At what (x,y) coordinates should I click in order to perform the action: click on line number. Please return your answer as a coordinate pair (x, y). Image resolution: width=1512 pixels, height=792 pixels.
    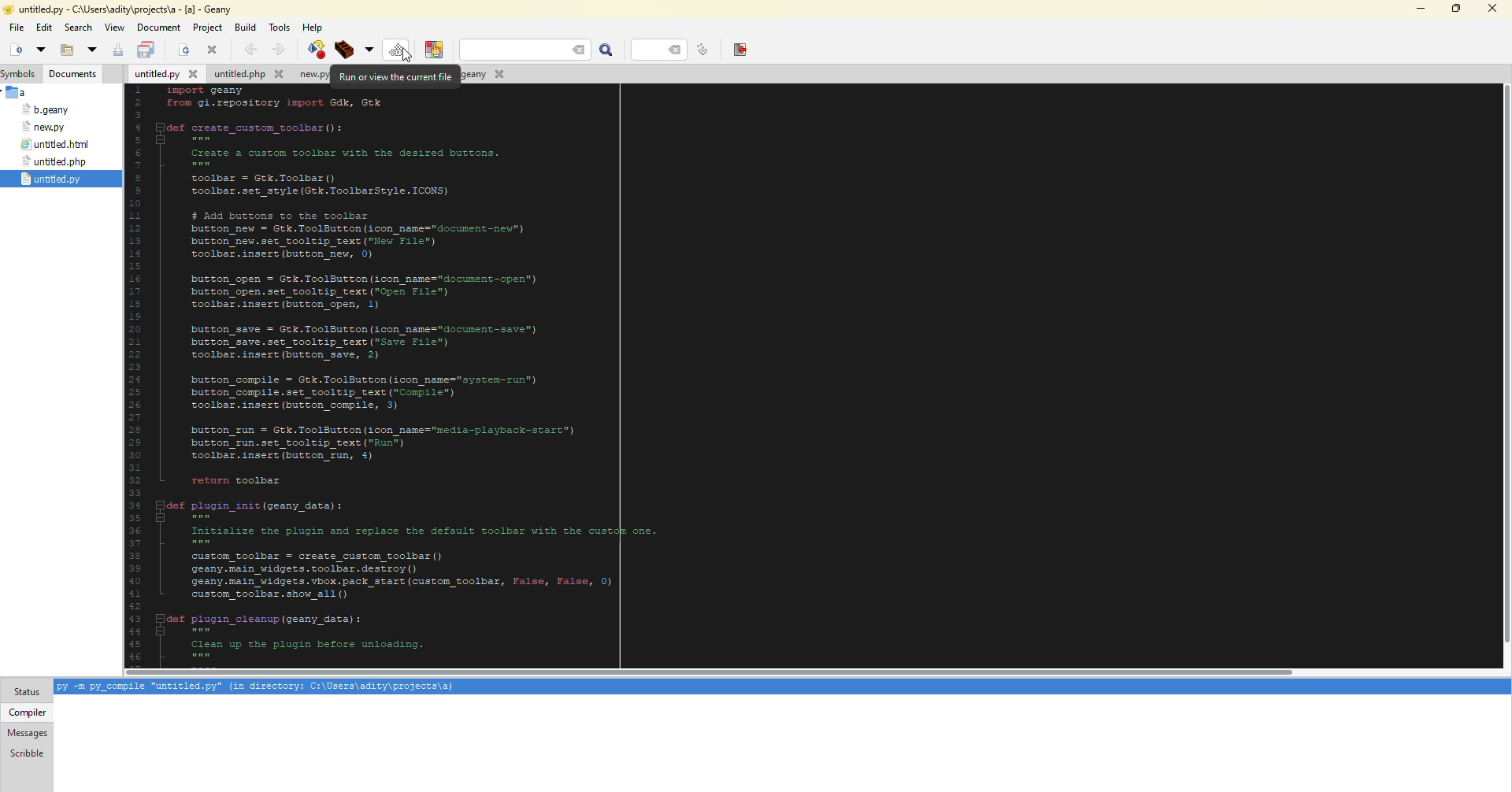
    Looking at the image, I should click on (705, 49).